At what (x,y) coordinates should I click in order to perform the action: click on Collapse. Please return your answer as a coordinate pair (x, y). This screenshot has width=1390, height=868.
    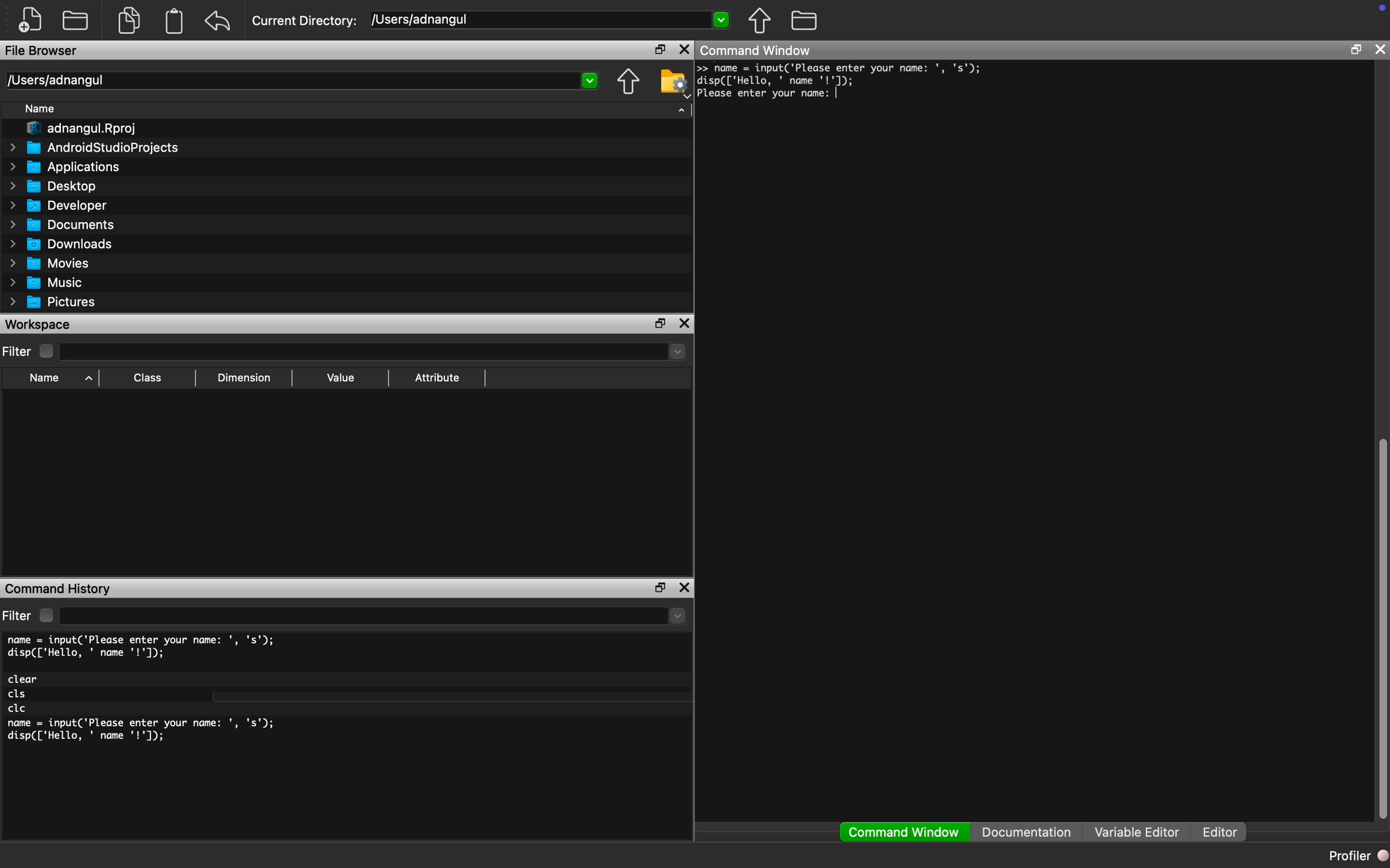
    Looking at the image, I should click on (682, 110).